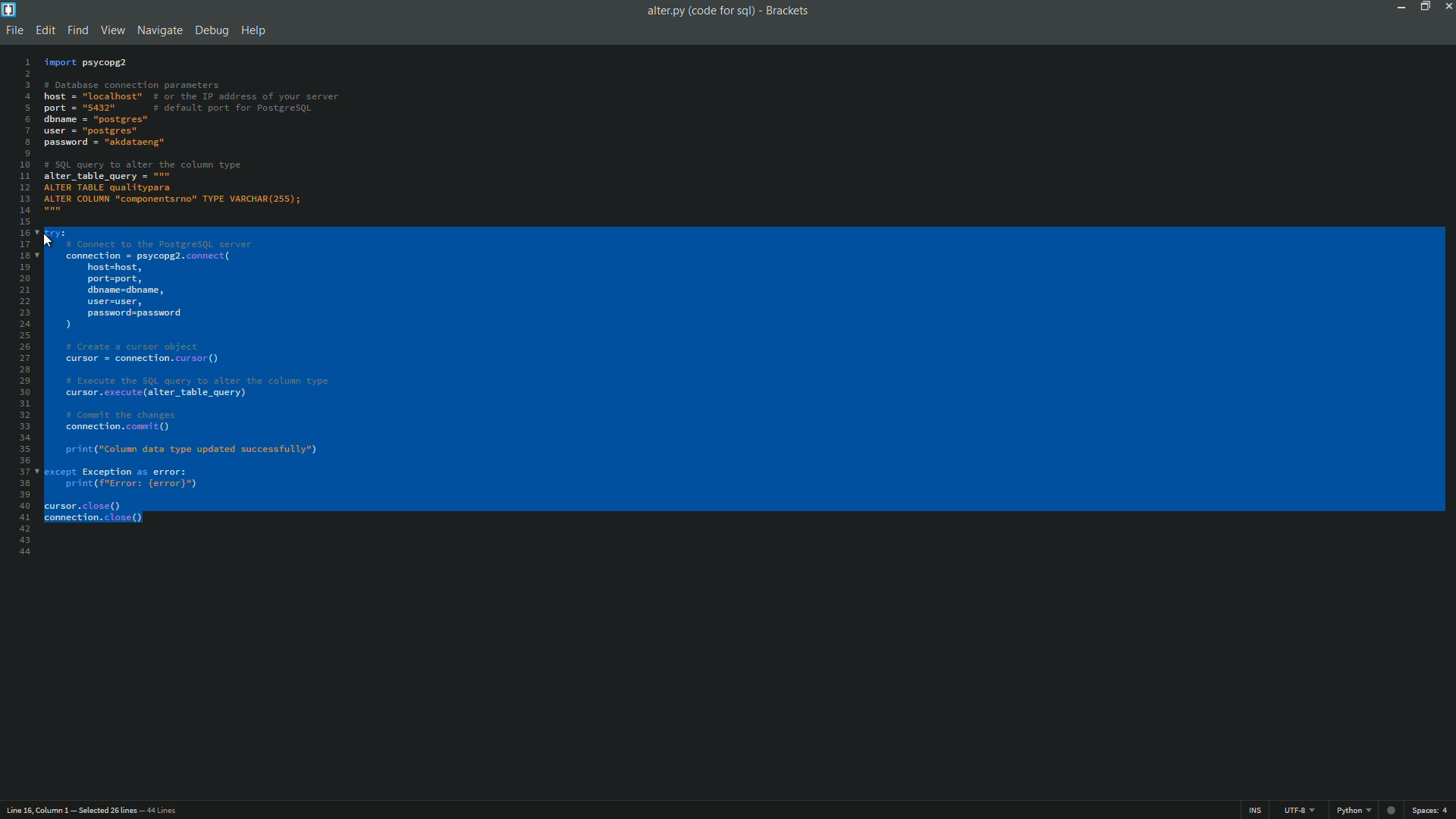 Image resolution: width=1456 pixels, height=819 pixels. I want to click on line numbers, so click(22, 306).